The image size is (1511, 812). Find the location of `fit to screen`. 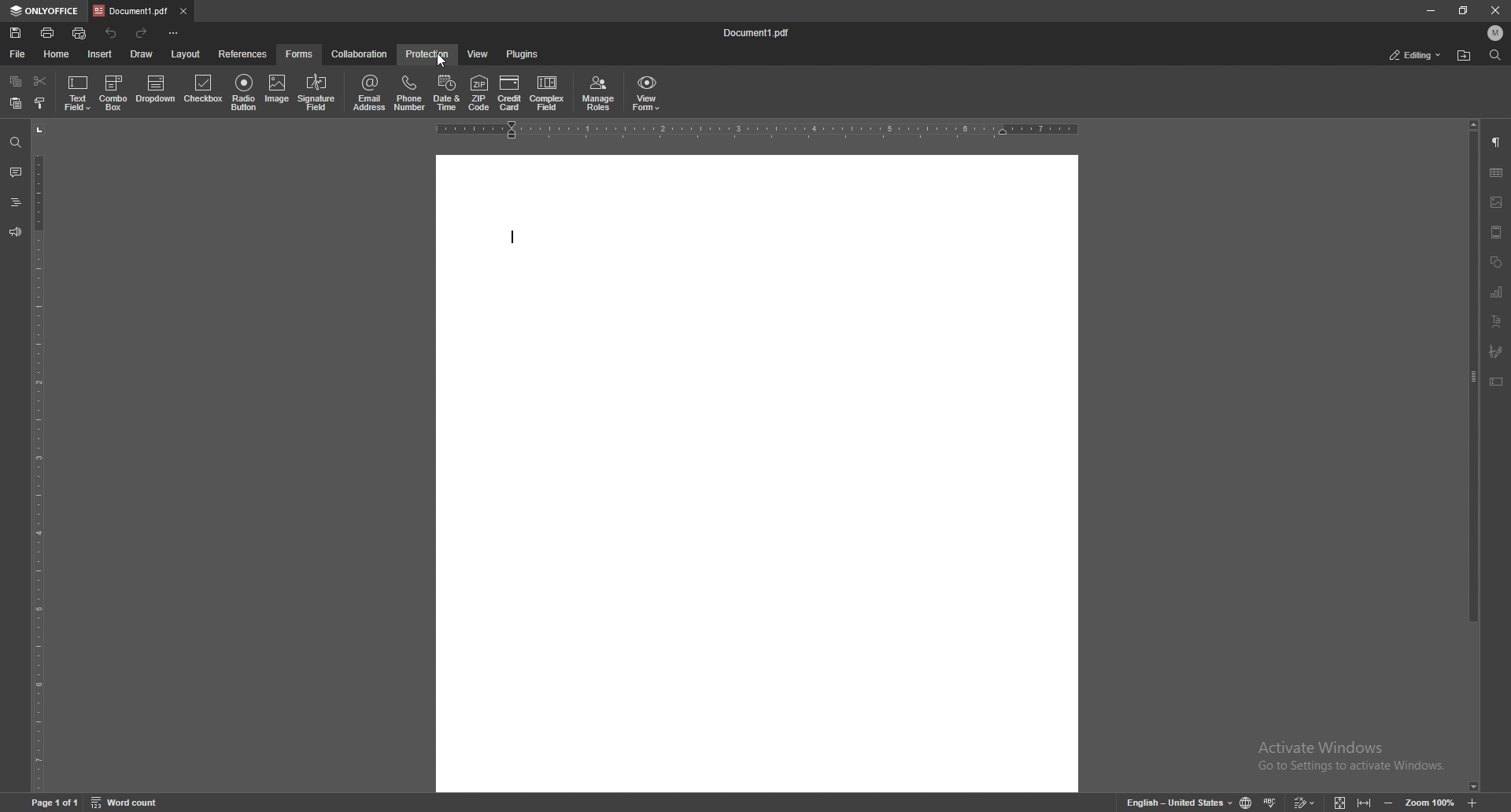

fit to screen is located at coordinates (1340, 802).